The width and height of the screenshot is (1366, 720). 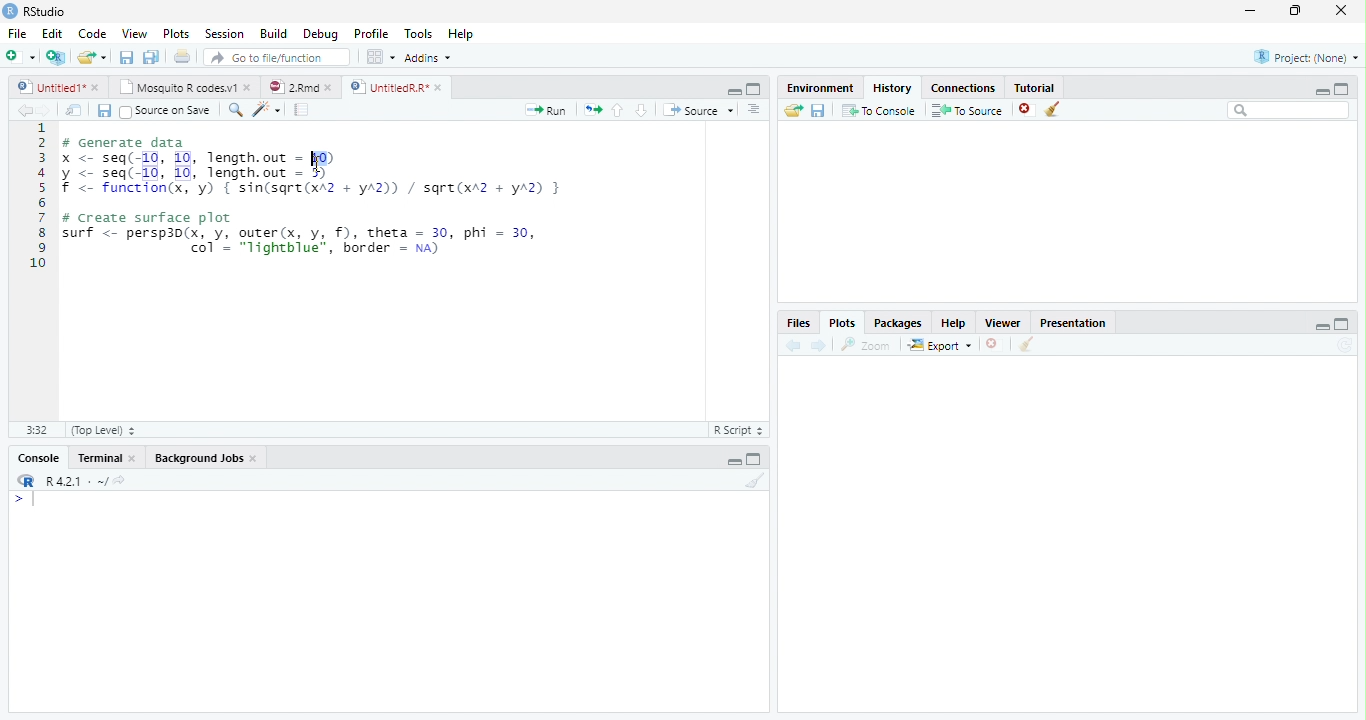 I want to click on Connections, so click(x=963, y=87).